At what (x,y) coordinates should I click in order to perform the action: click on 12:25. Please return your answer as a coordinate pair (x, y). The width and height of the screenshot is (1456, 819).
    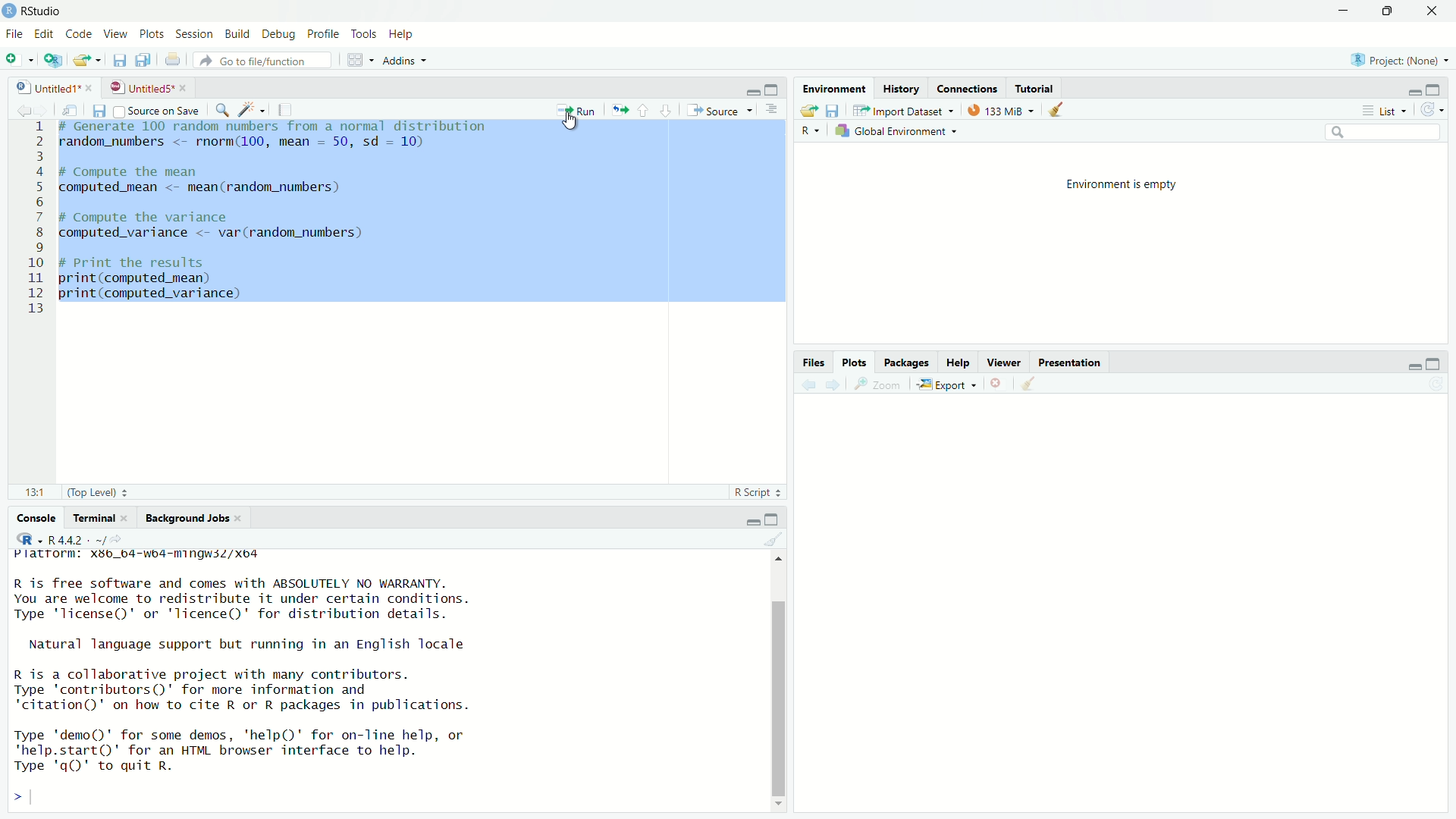
    Looking at the image, I should click on (30, 493).